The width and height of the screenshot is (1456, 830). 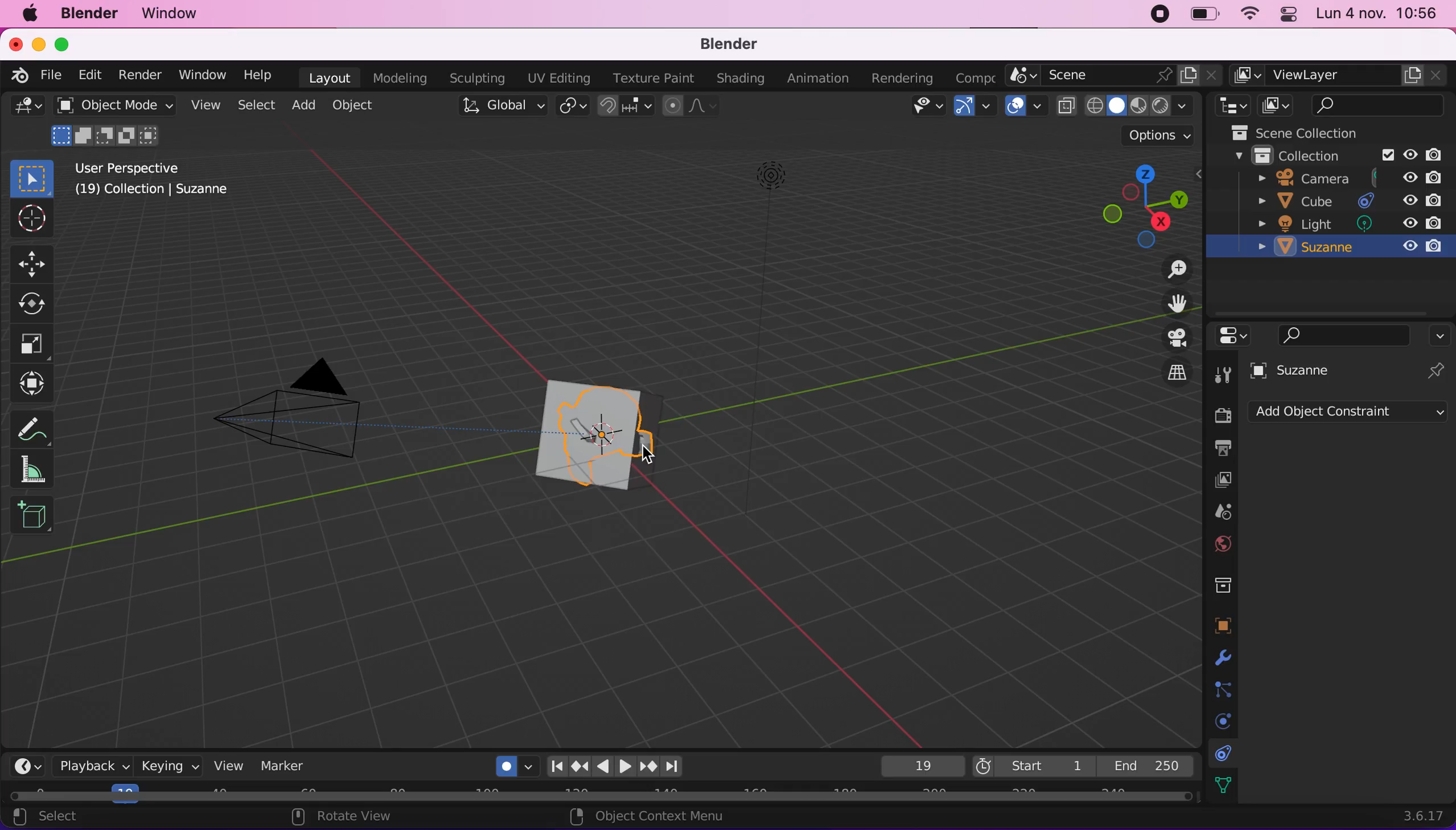 I want to click on rendered display, so click(x=1160, y=107).